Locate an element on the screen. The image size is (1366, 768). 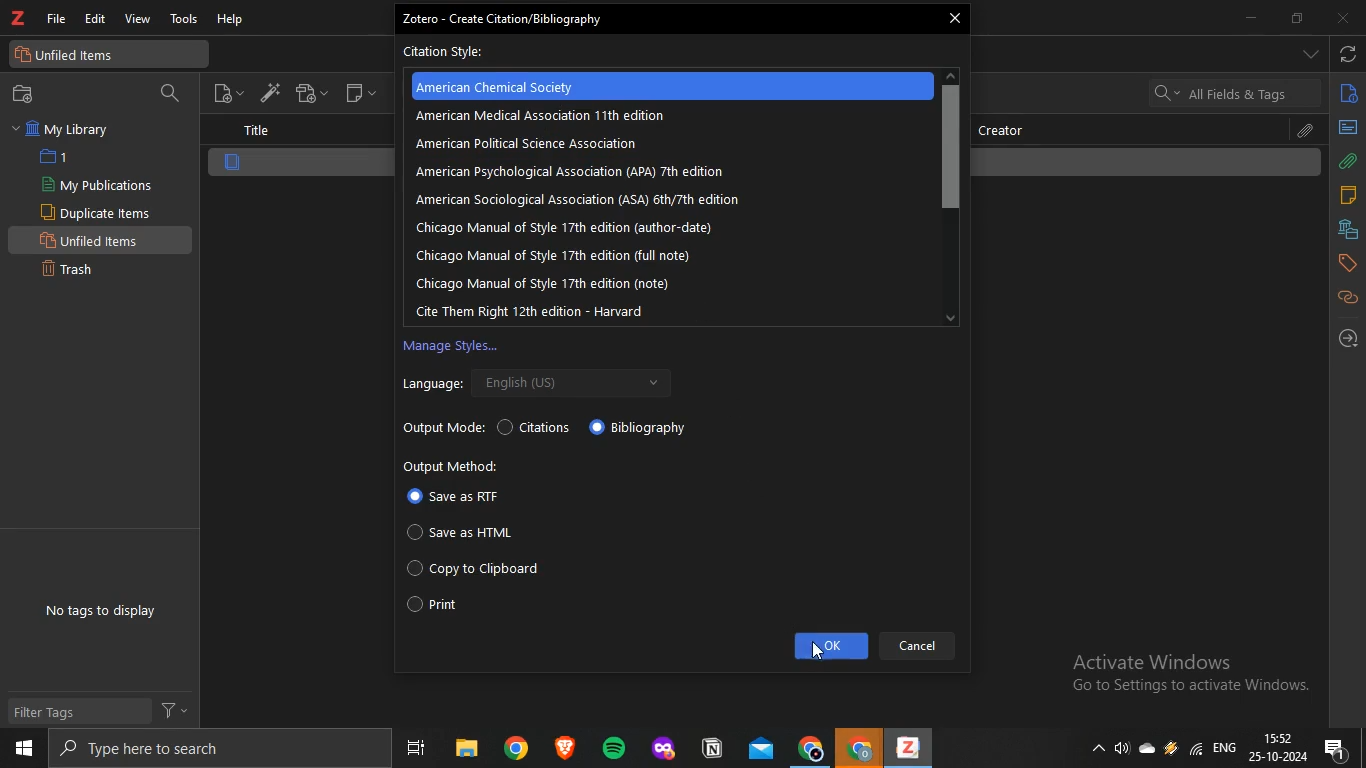
help is located at coordinates (233, 20).